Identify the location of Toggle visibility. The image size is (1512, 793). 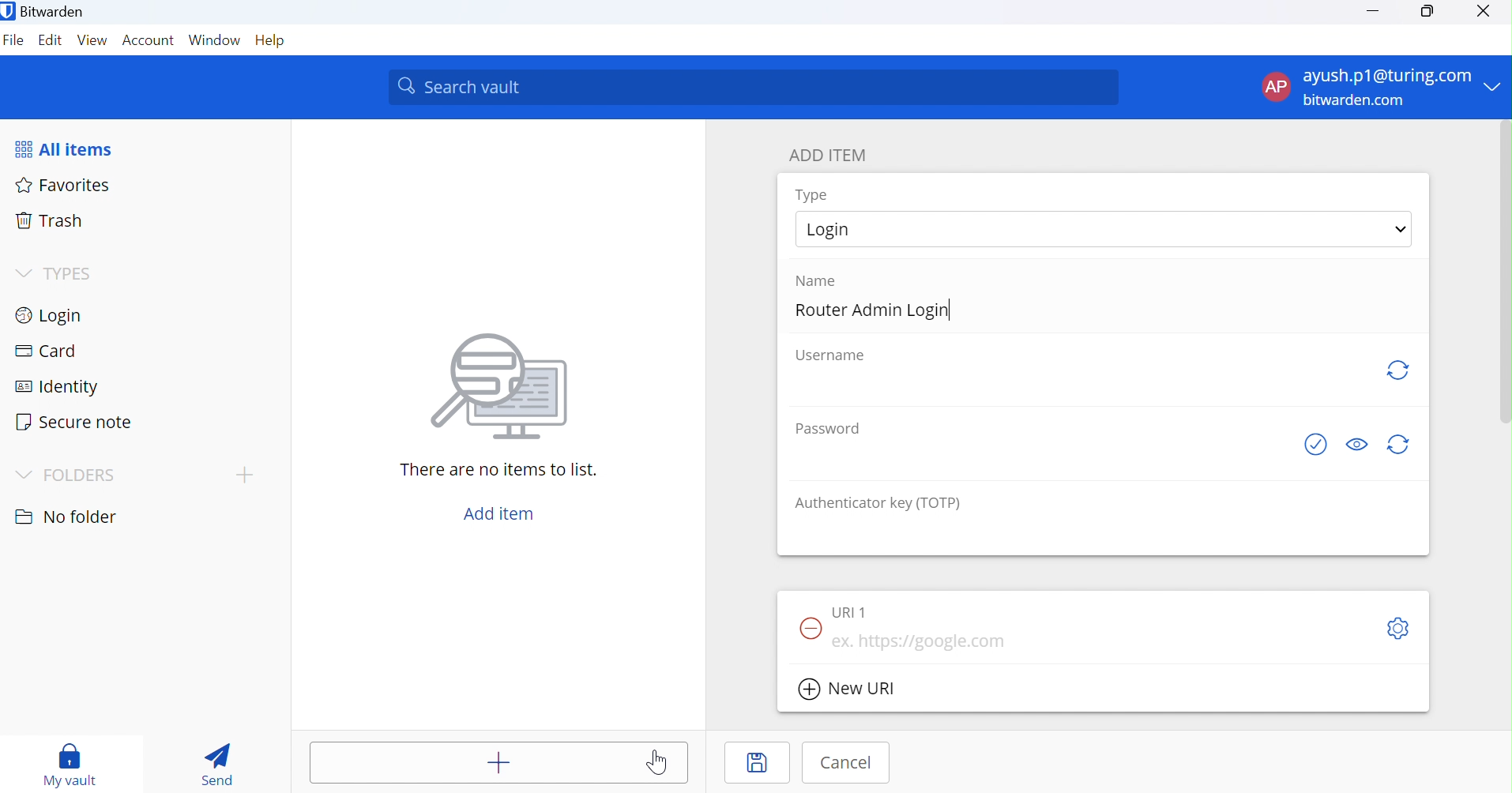
(1356, 443).